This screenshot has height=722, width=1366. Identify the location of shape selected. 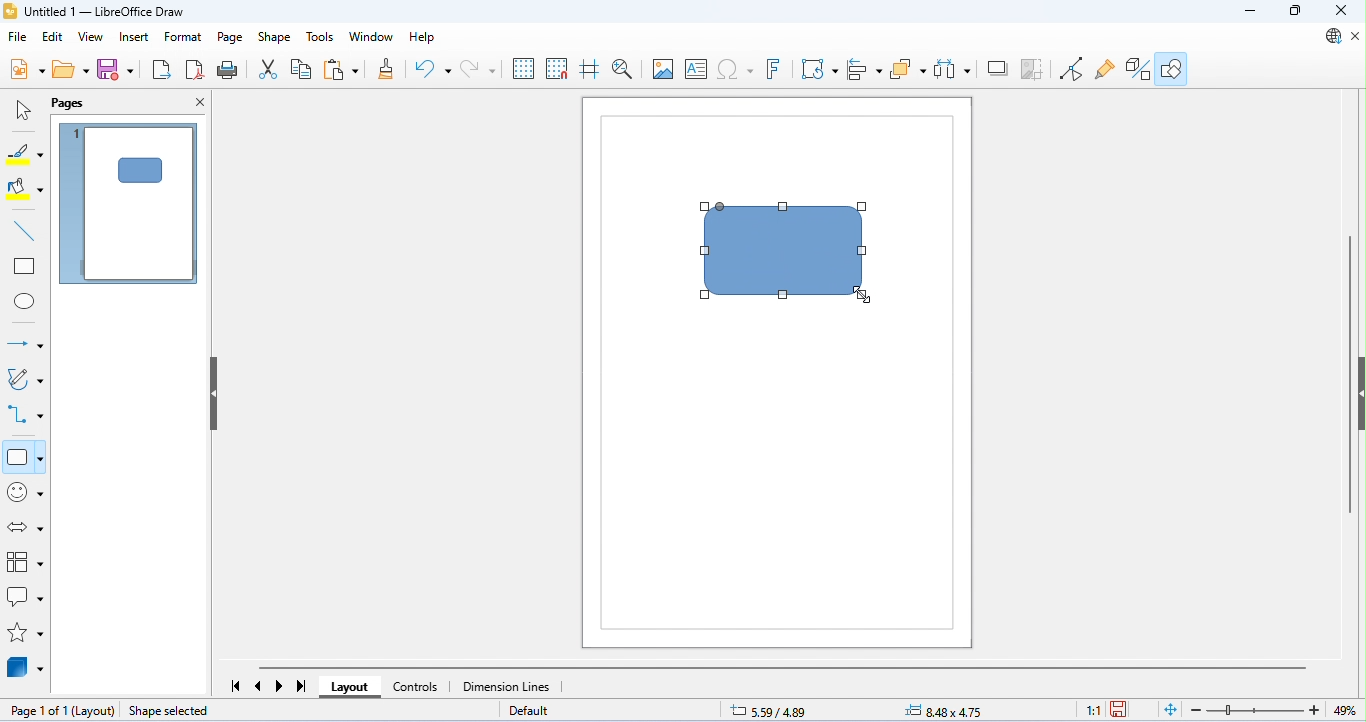
(170, 710).